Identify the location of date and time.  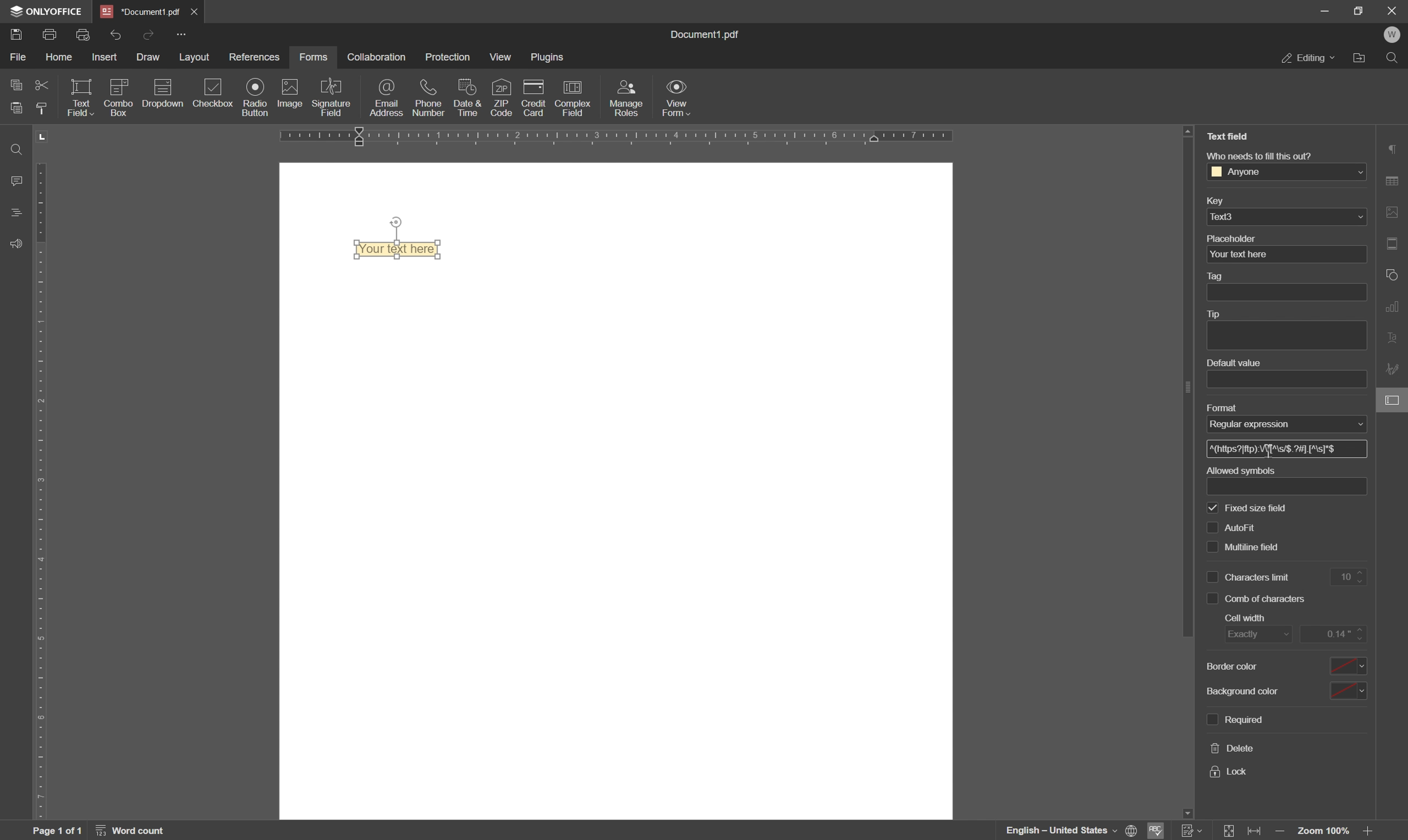
(467, 98).